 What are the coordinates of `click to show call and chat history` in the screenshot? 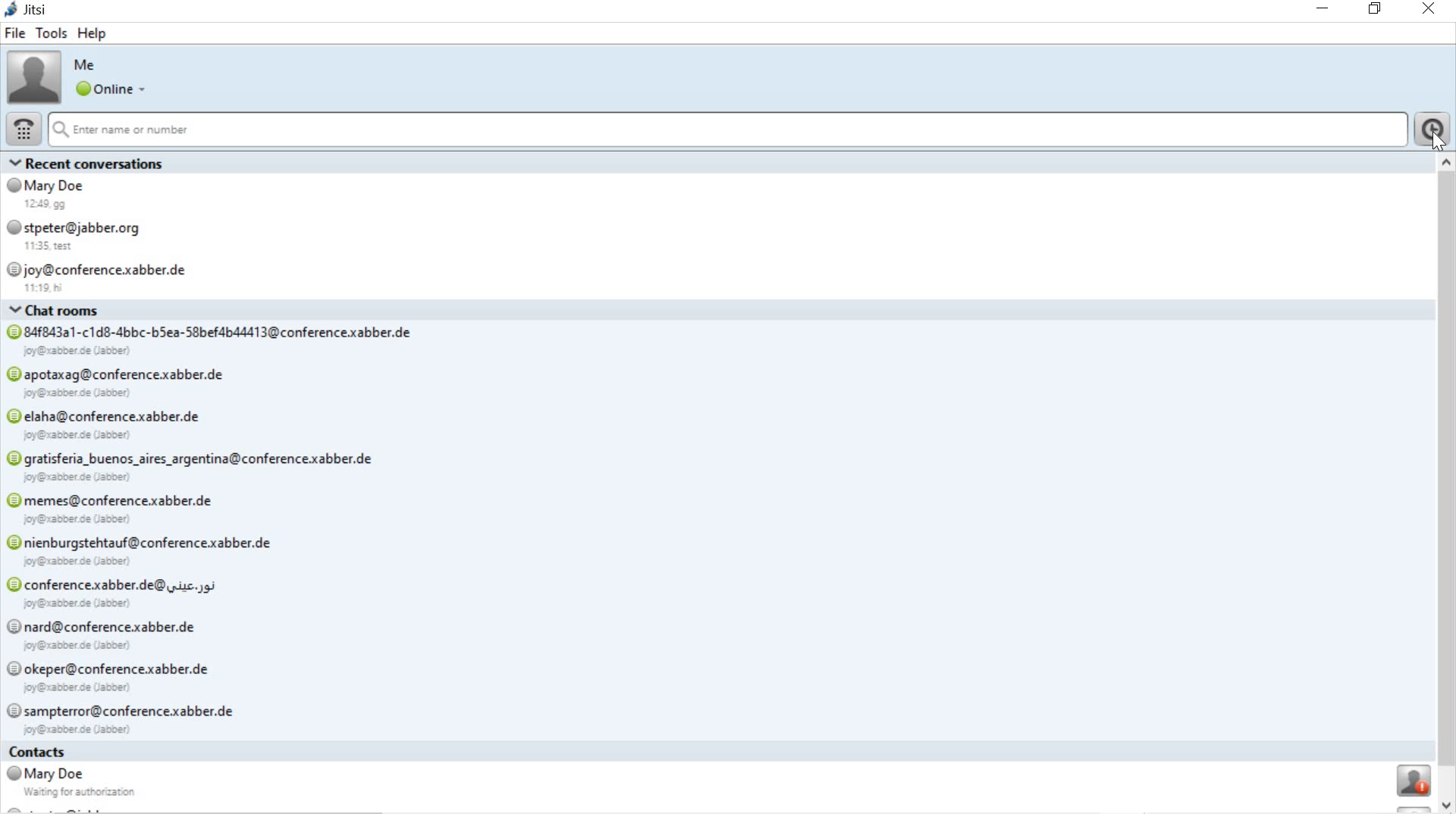 It's located at (1434, 130).